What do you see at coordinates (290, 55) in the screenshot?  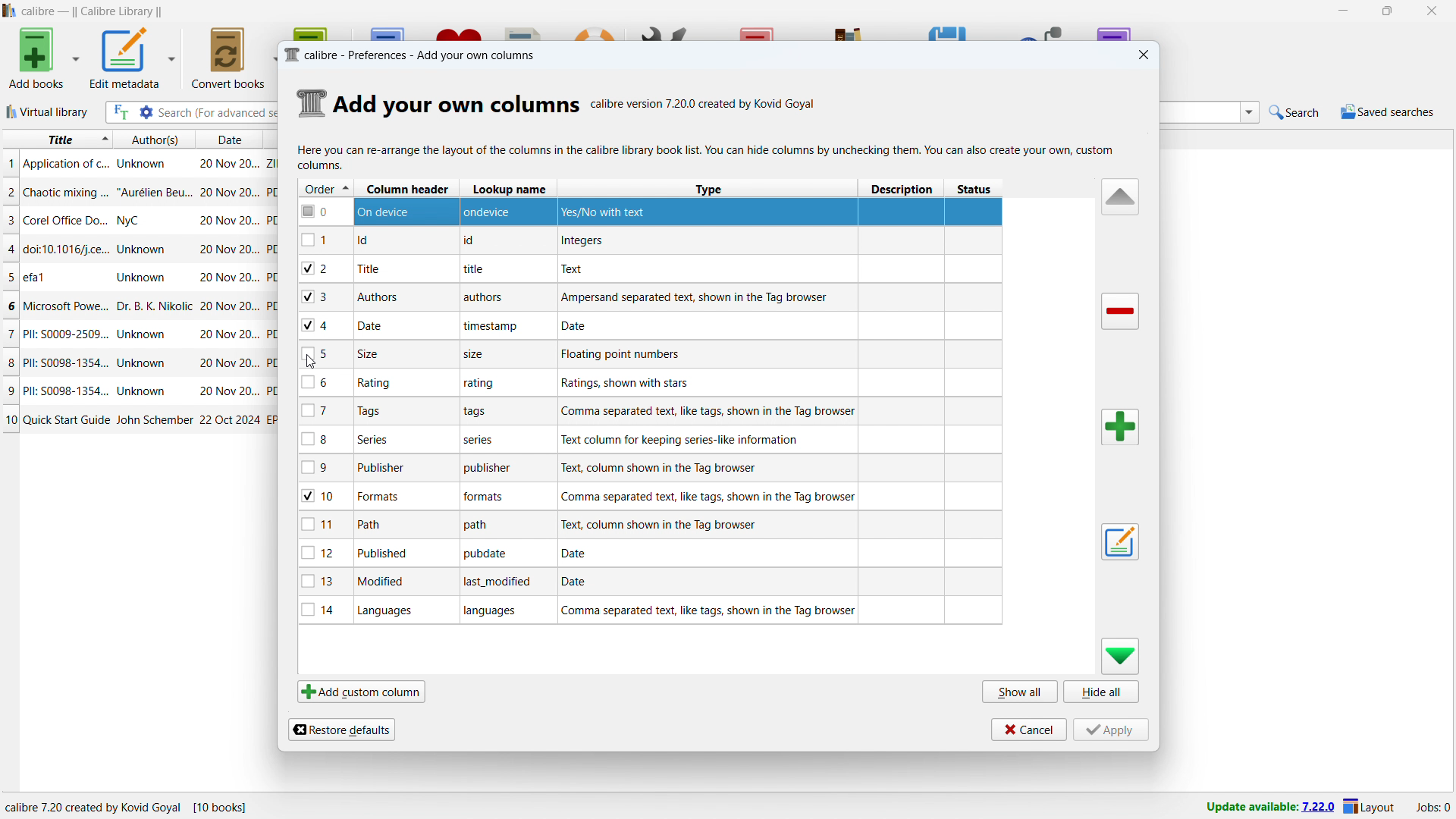 I see `logo` at bounding box center [290, 55].